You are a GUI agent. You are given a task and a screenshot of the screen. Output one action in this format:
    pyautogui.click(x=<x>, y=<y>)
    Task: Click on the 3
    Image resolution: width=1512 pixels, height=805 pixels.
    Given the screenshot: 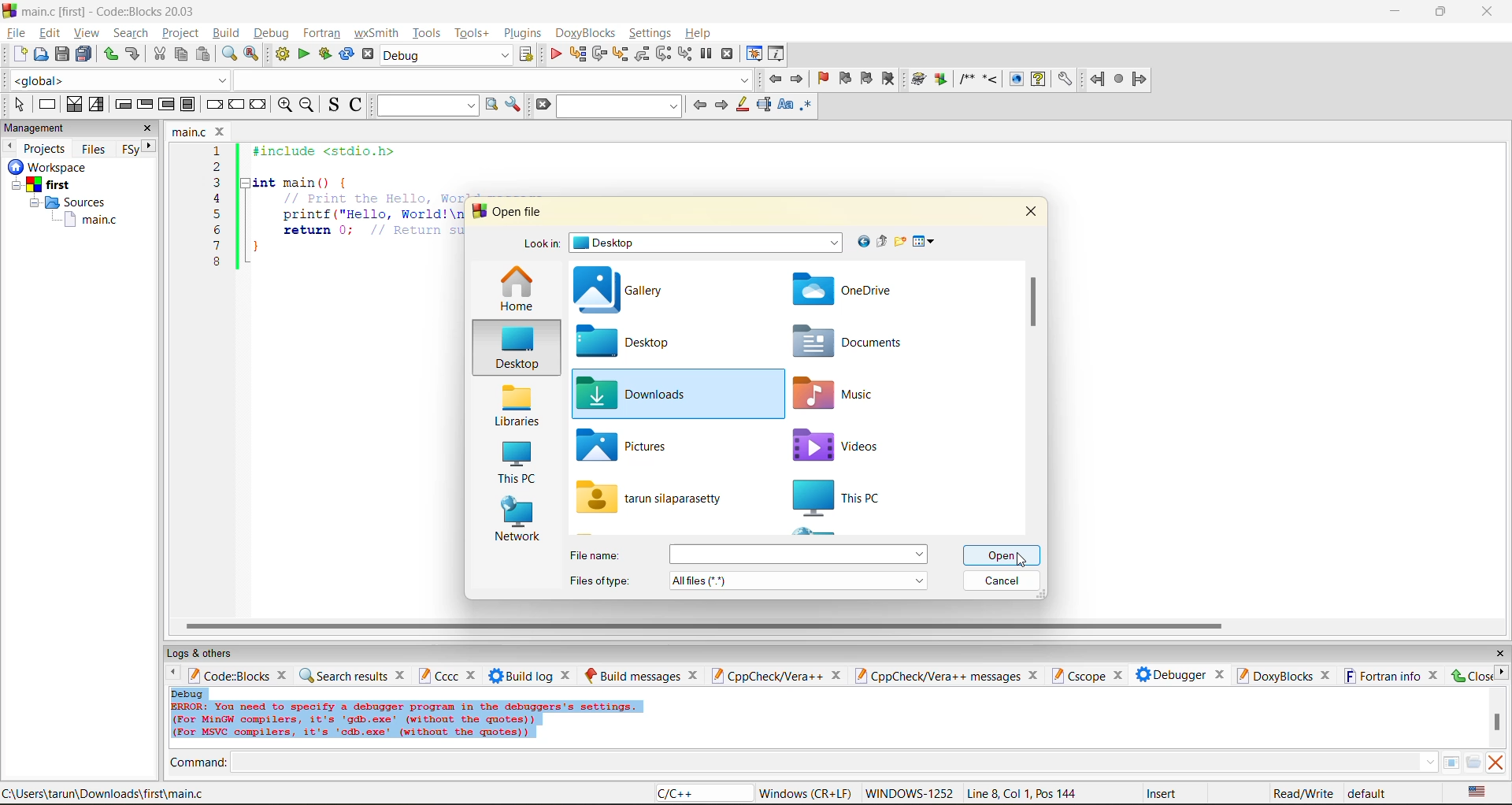 What is the action you would take?
    pyautogui.click(x=217, y=182)
    